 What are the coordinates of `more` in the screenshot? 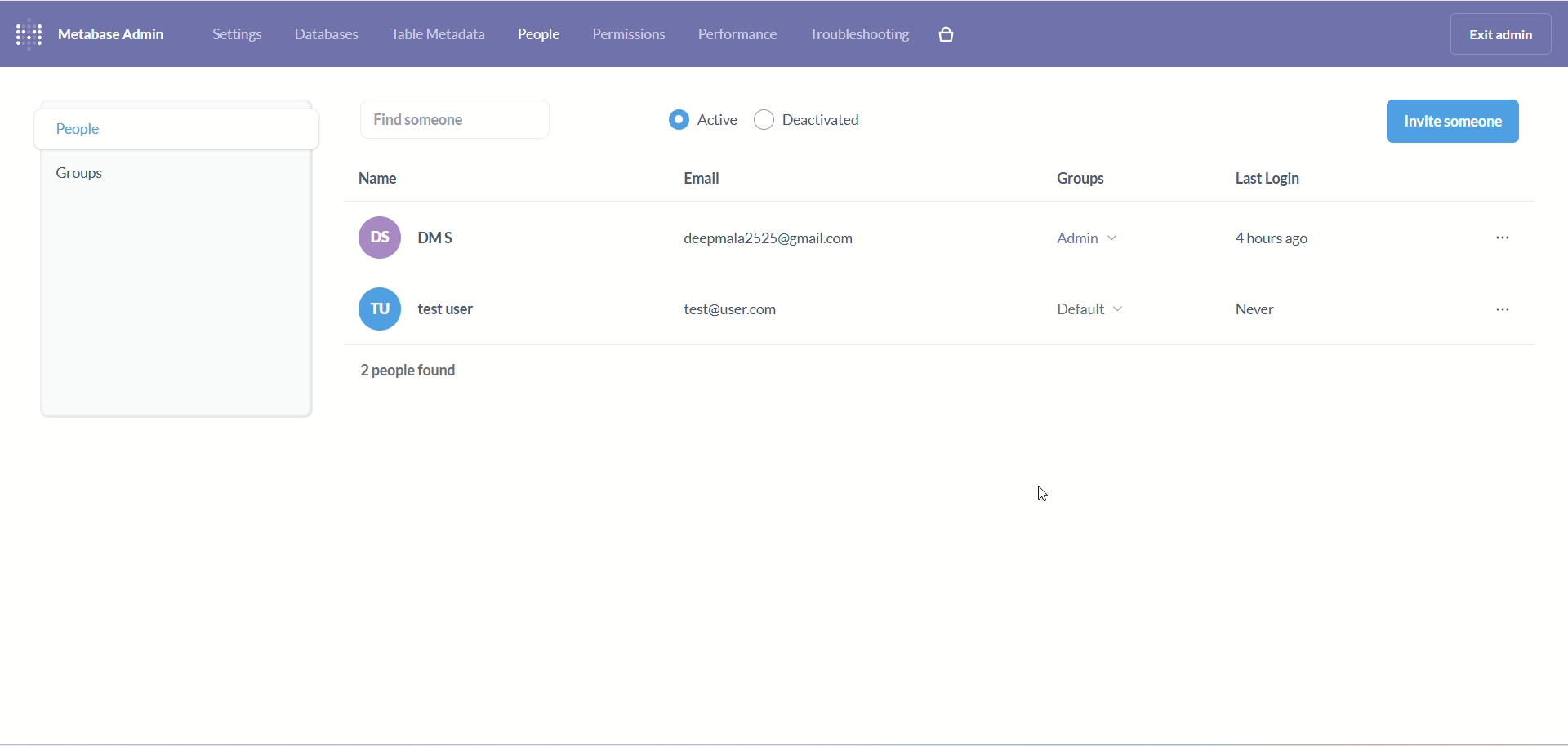 It's located at (1499, 282).